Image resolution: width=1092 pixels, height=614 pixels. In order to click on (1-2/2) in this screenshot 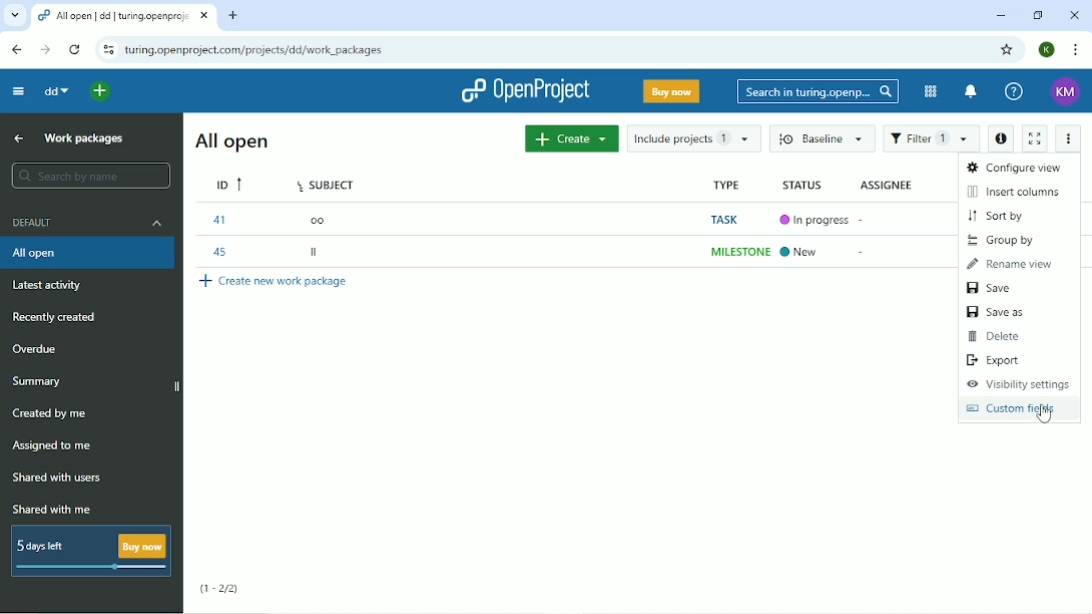, I will do `click(223, 587)`.